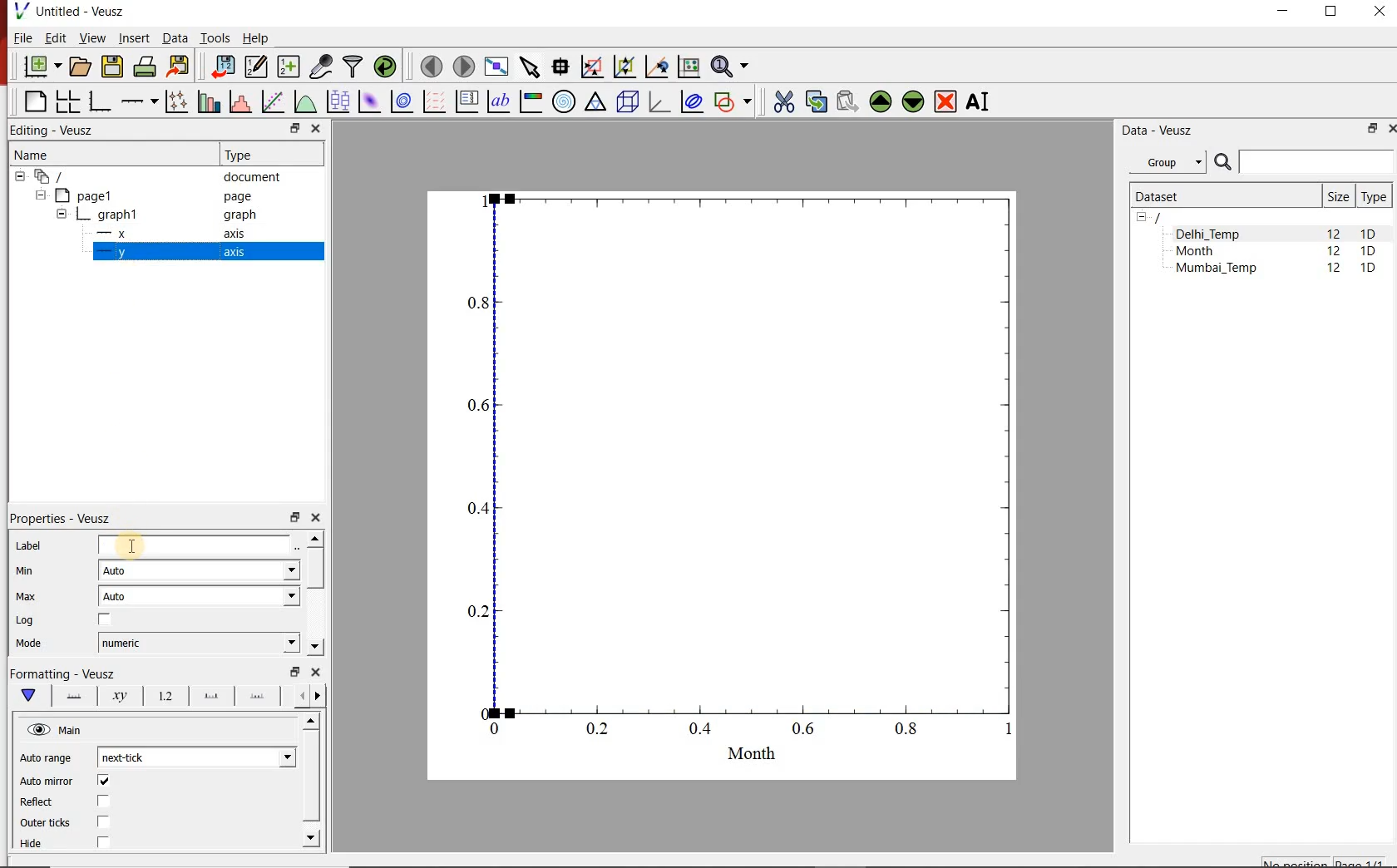  Describe the element at coordinates (72, 696) in the screenshot. I see `Axis line` at that location.